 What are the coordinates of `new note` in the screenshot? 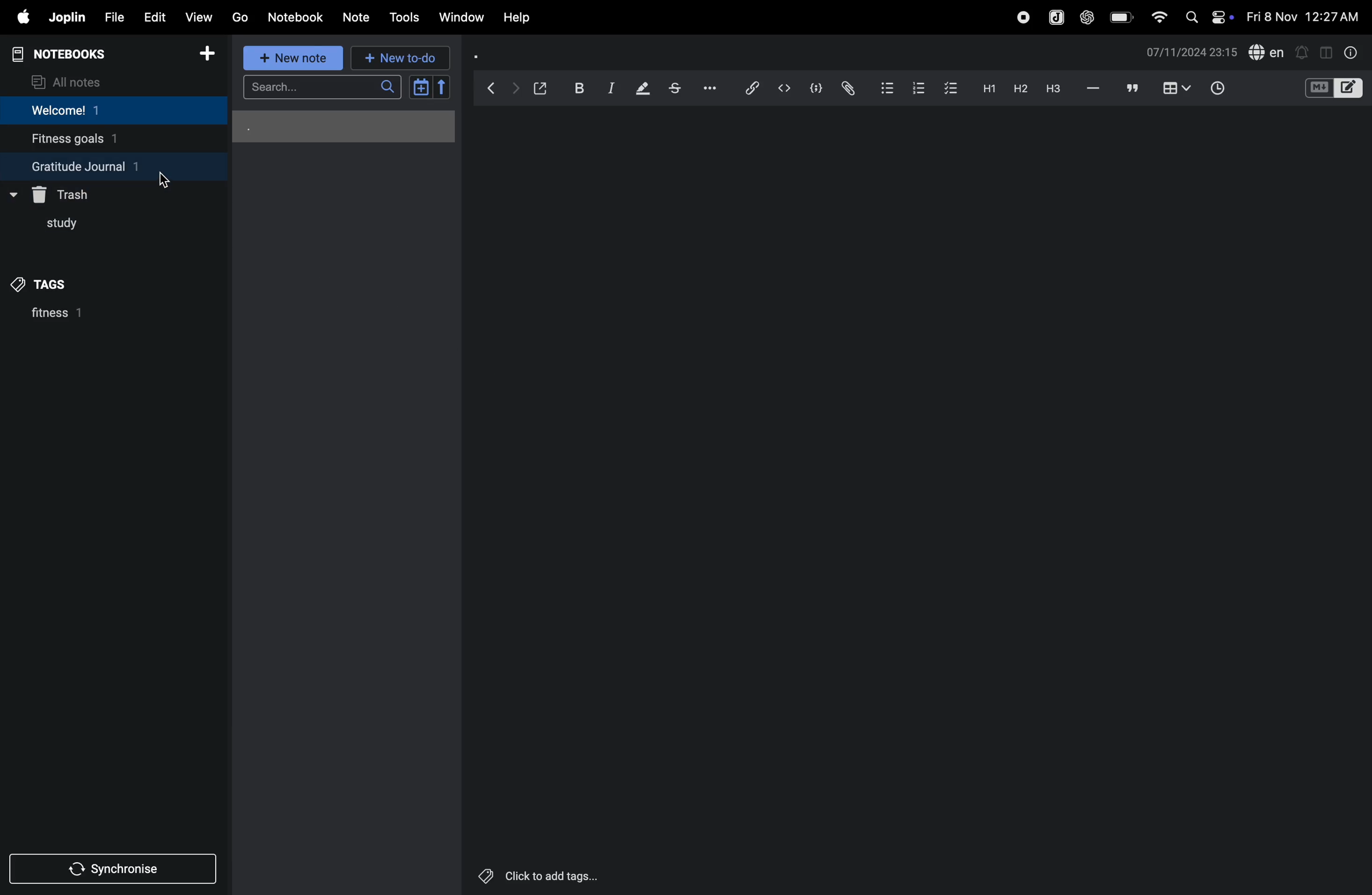 It's located at (295, 59).